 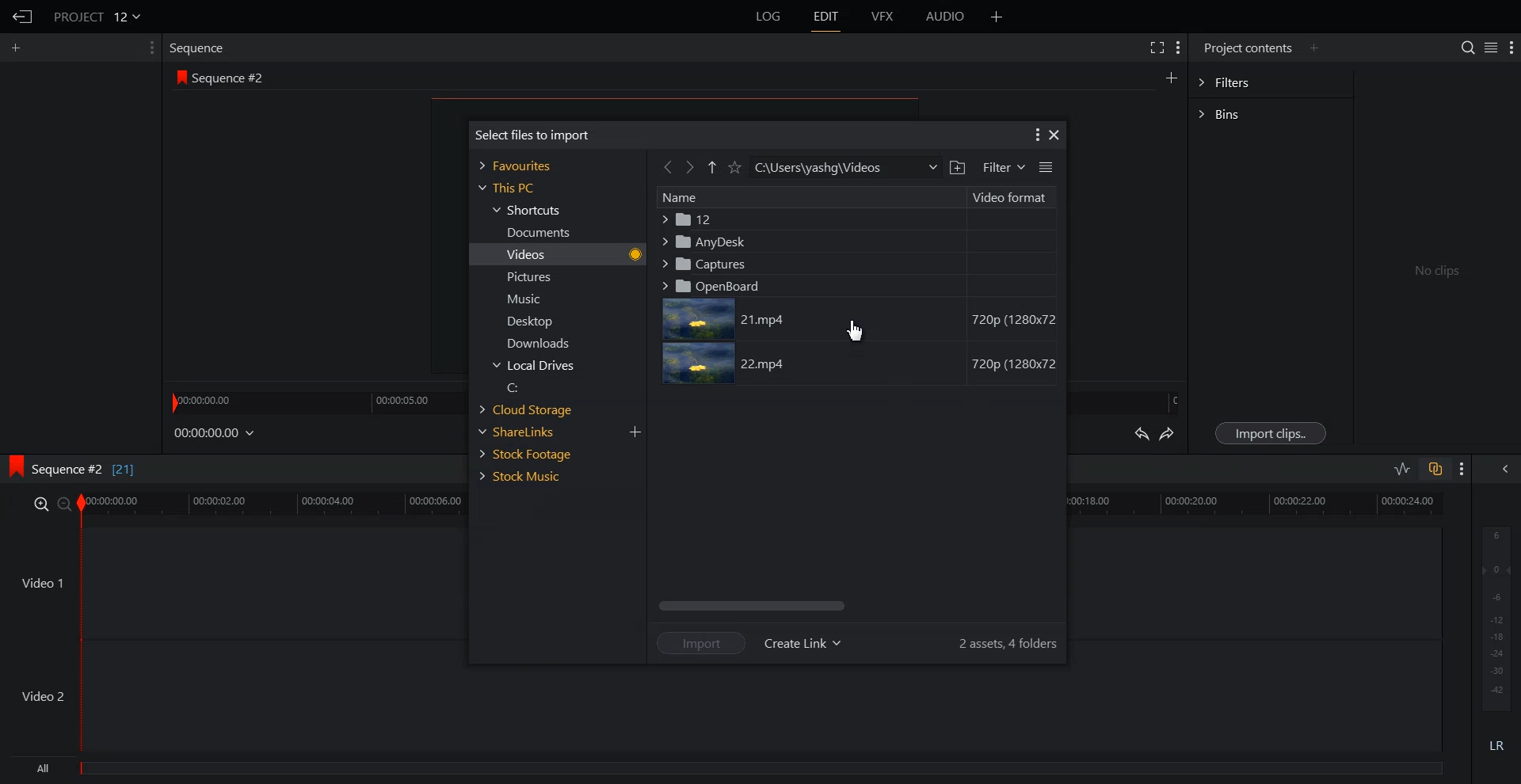 I want to click on Toggle between list and tile view, so click(x=1046, y=167).